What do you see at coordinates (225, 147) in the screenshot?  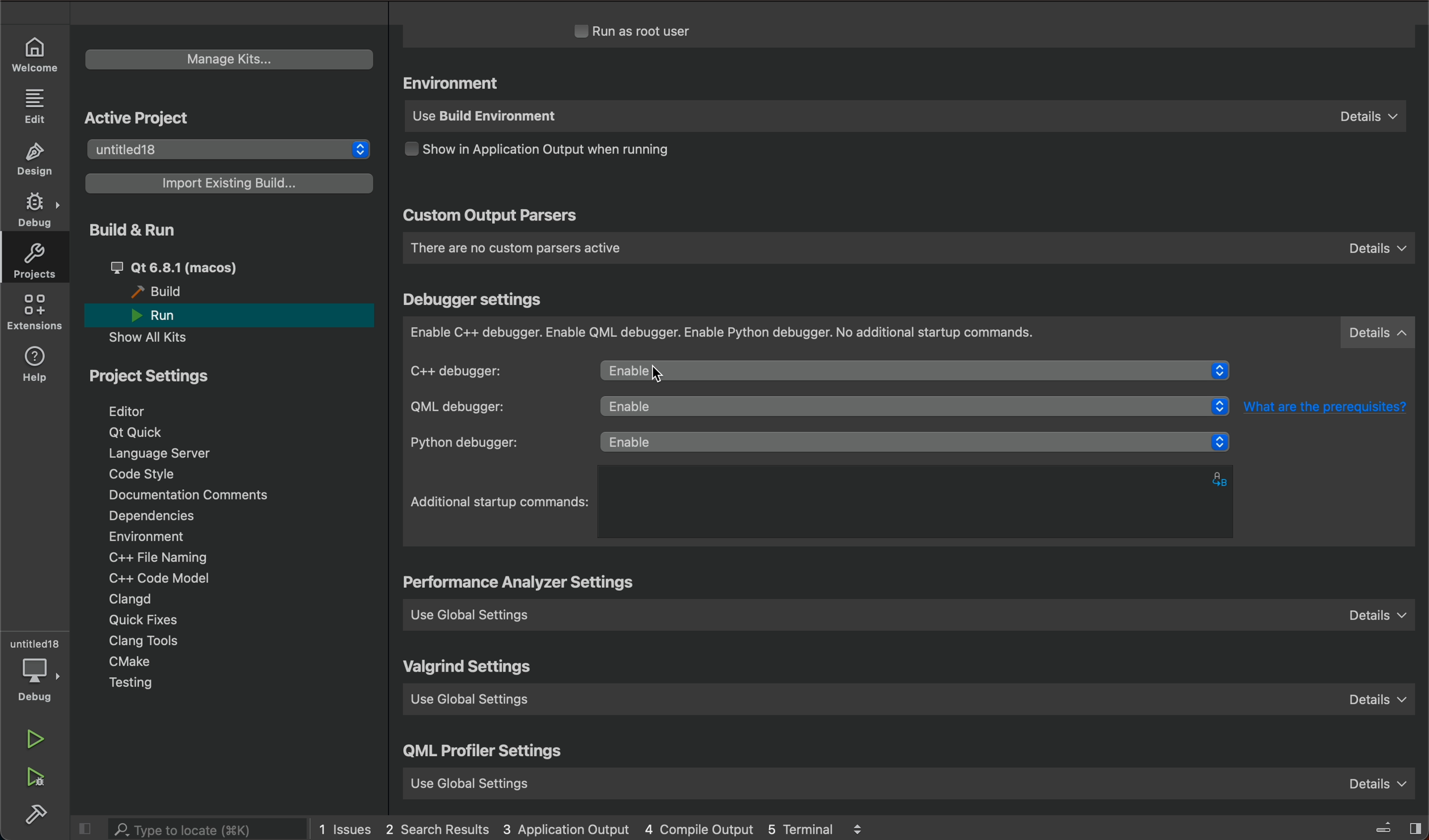 I see `untitled` at bounding box center [225, 147].